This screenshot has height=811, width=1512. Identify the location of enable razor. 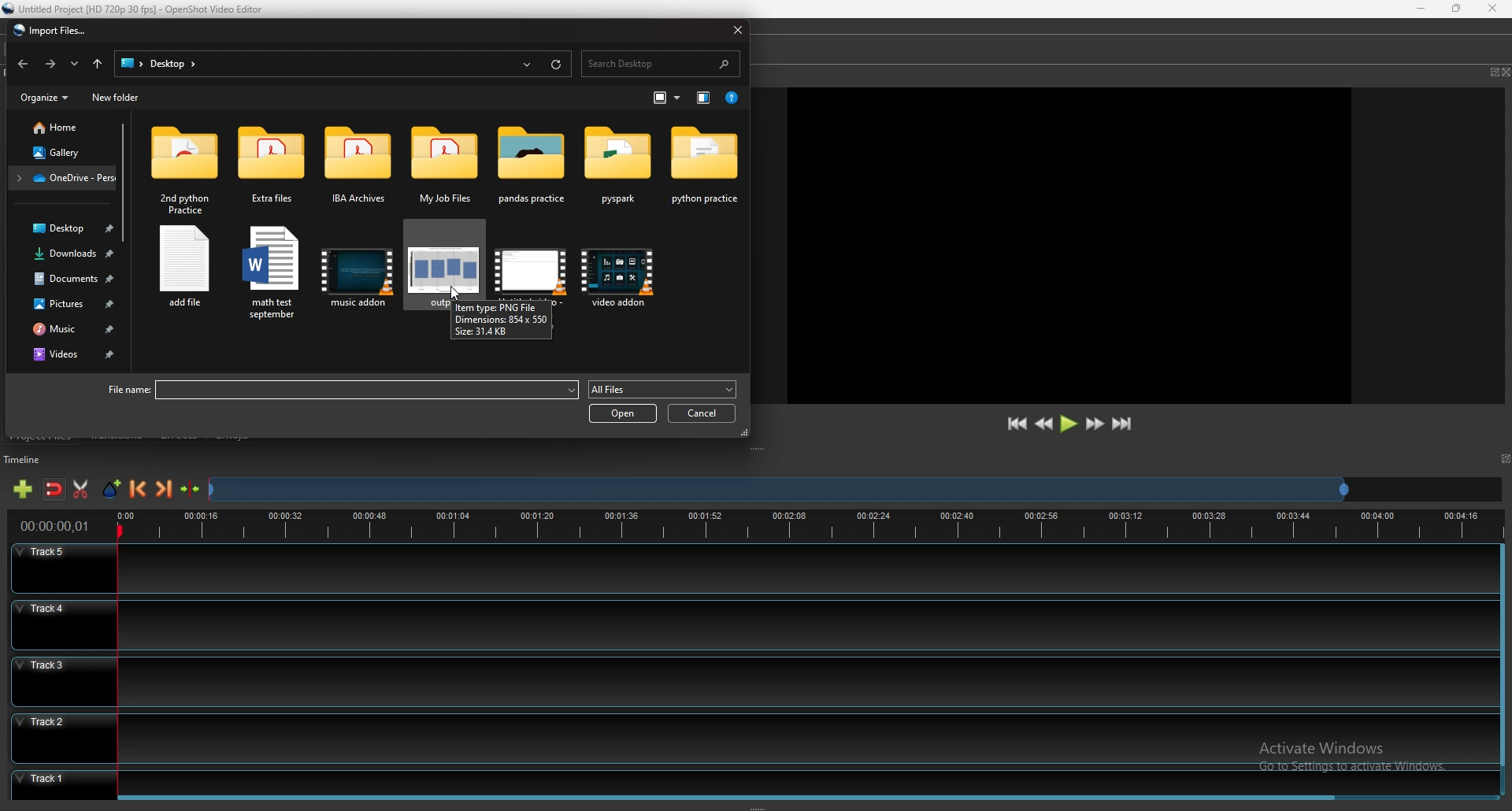
(80, 489).